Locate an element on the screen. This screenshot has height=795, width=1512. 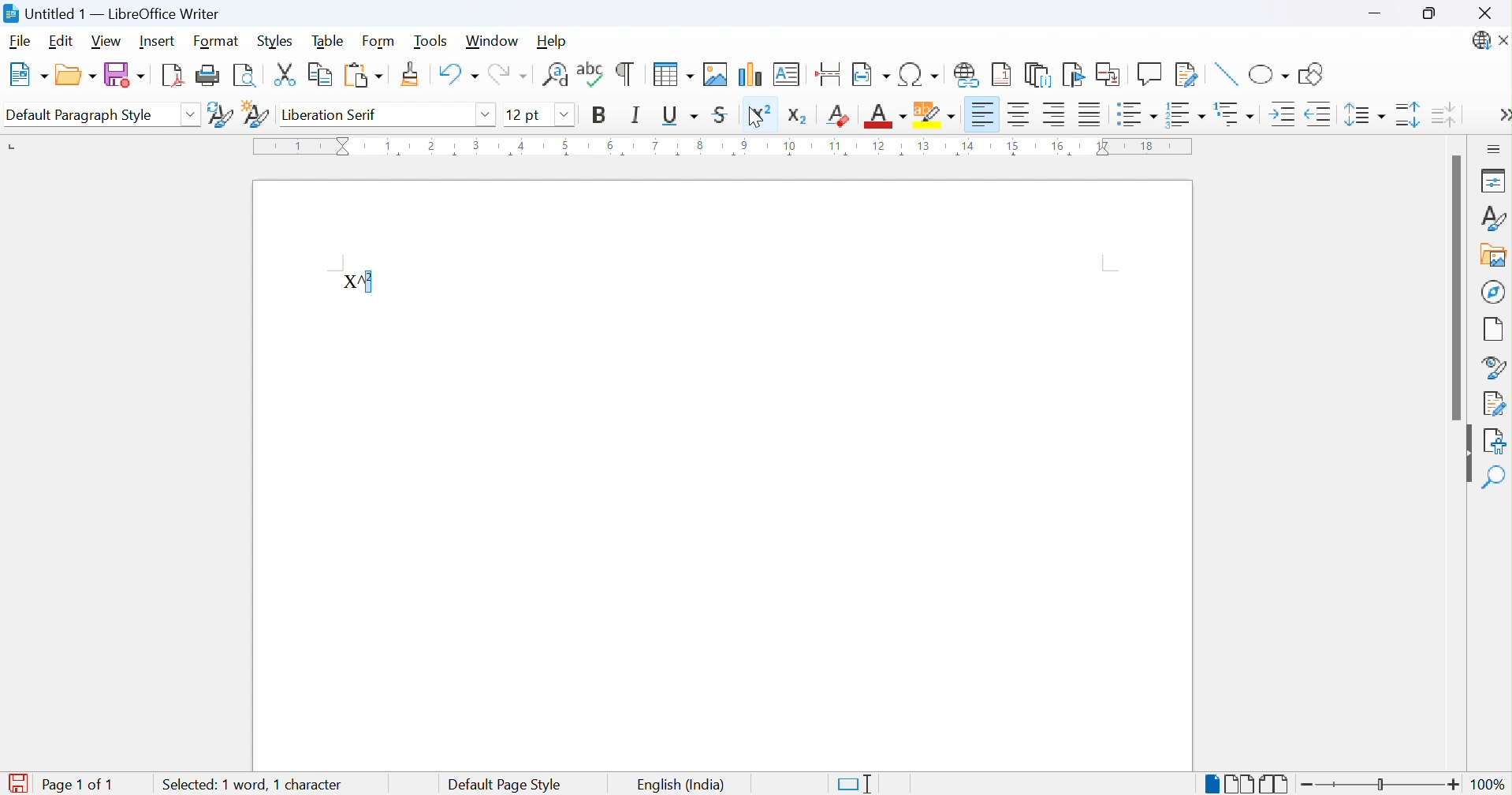
Open is located at coordinates (76, 72).